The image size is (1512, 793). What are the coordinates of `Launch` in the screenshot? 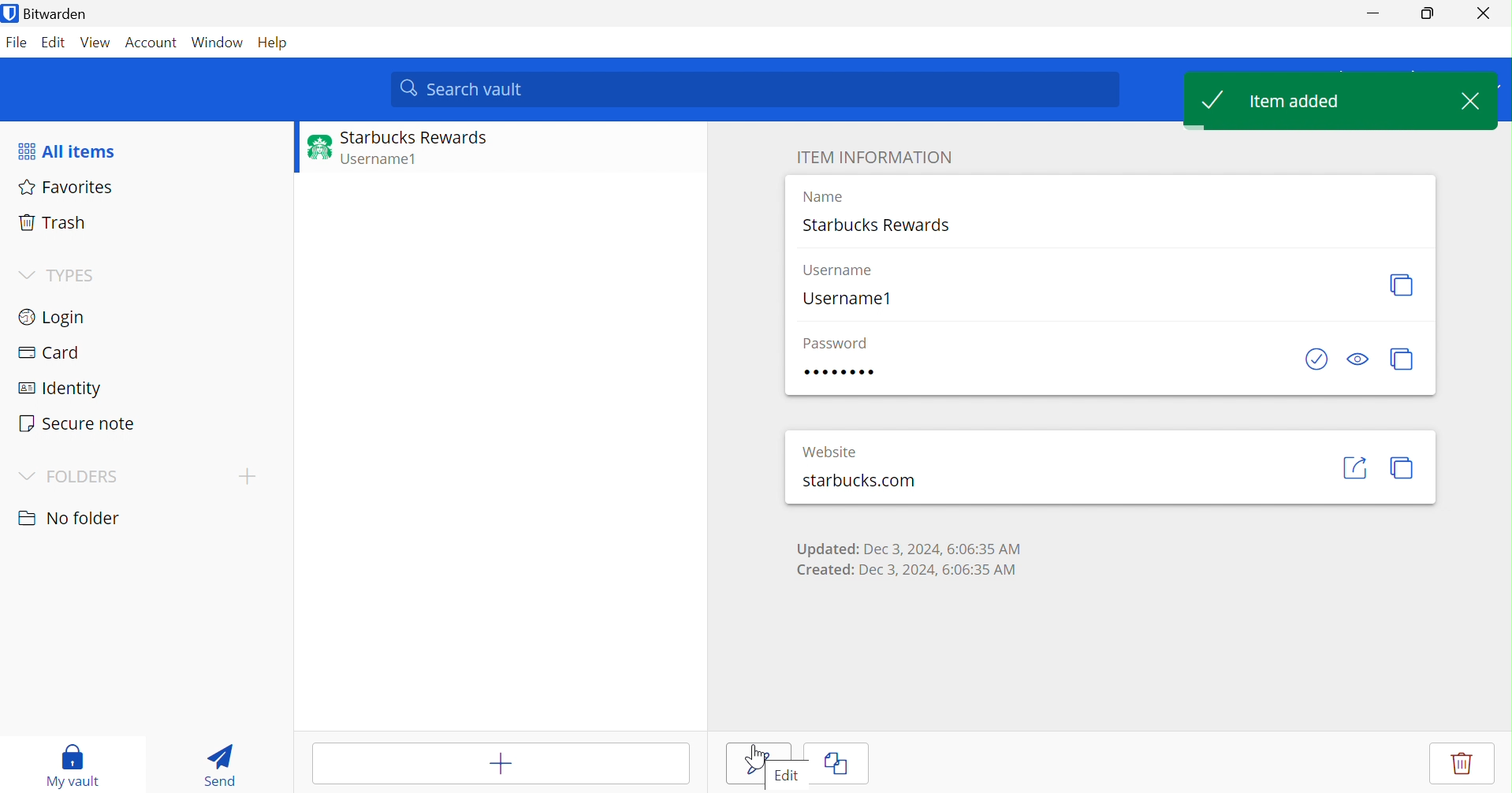 It's located at (1356, 470).